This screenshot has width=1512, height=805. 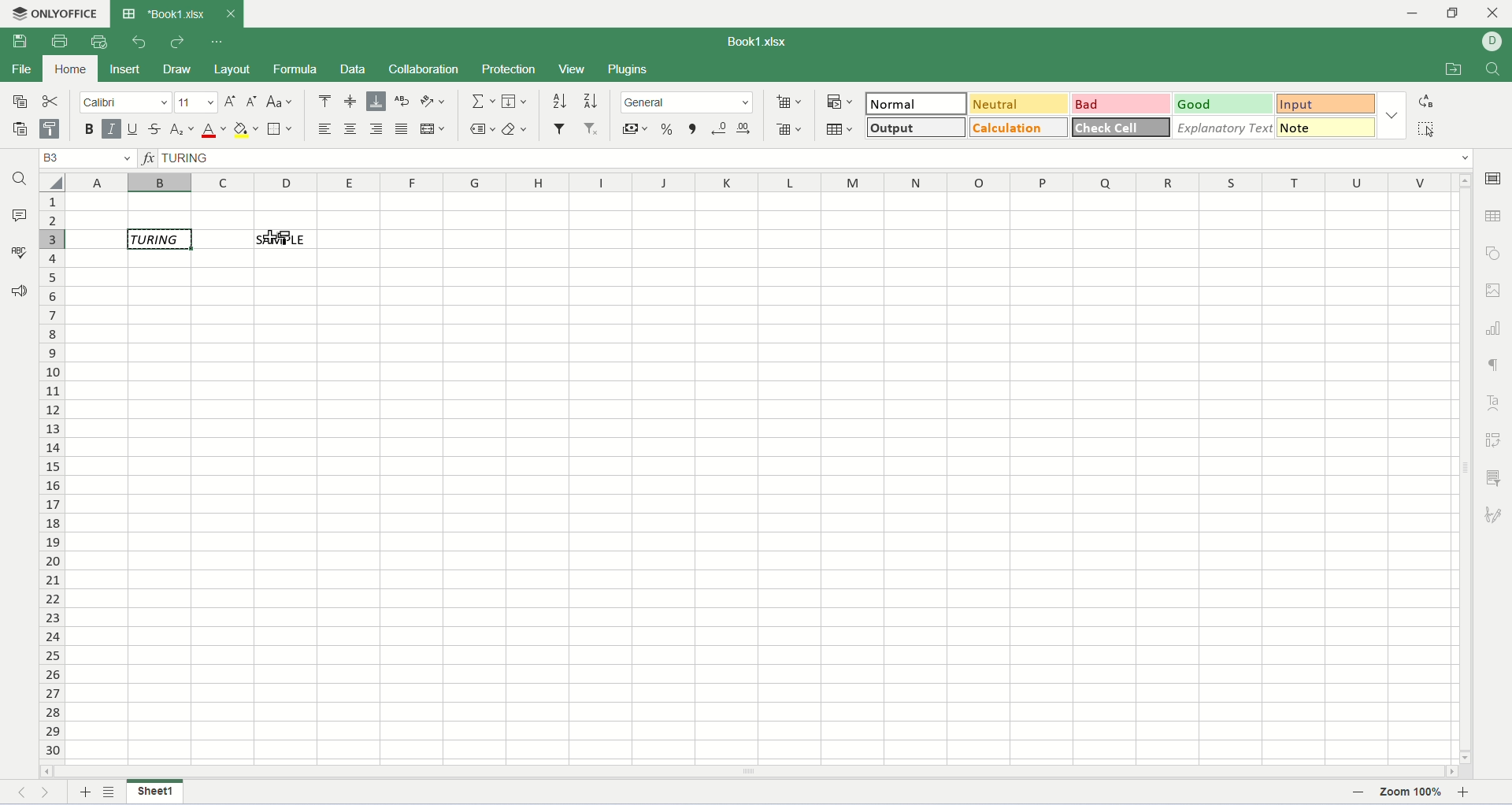 I want to click on remove, so click(x=593, y=129).